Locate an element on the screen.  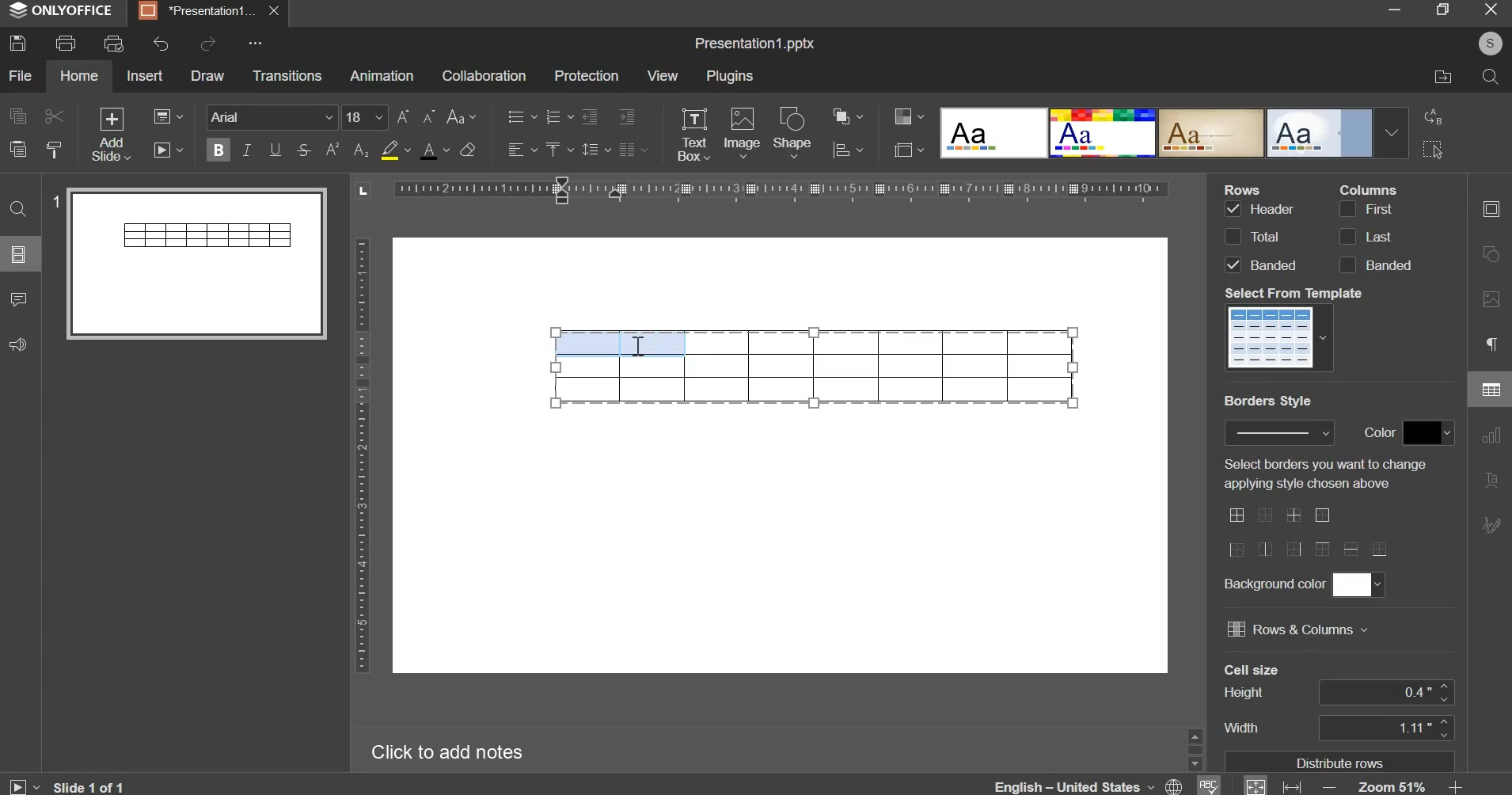
slideshow is located at coordinates (169, 148).